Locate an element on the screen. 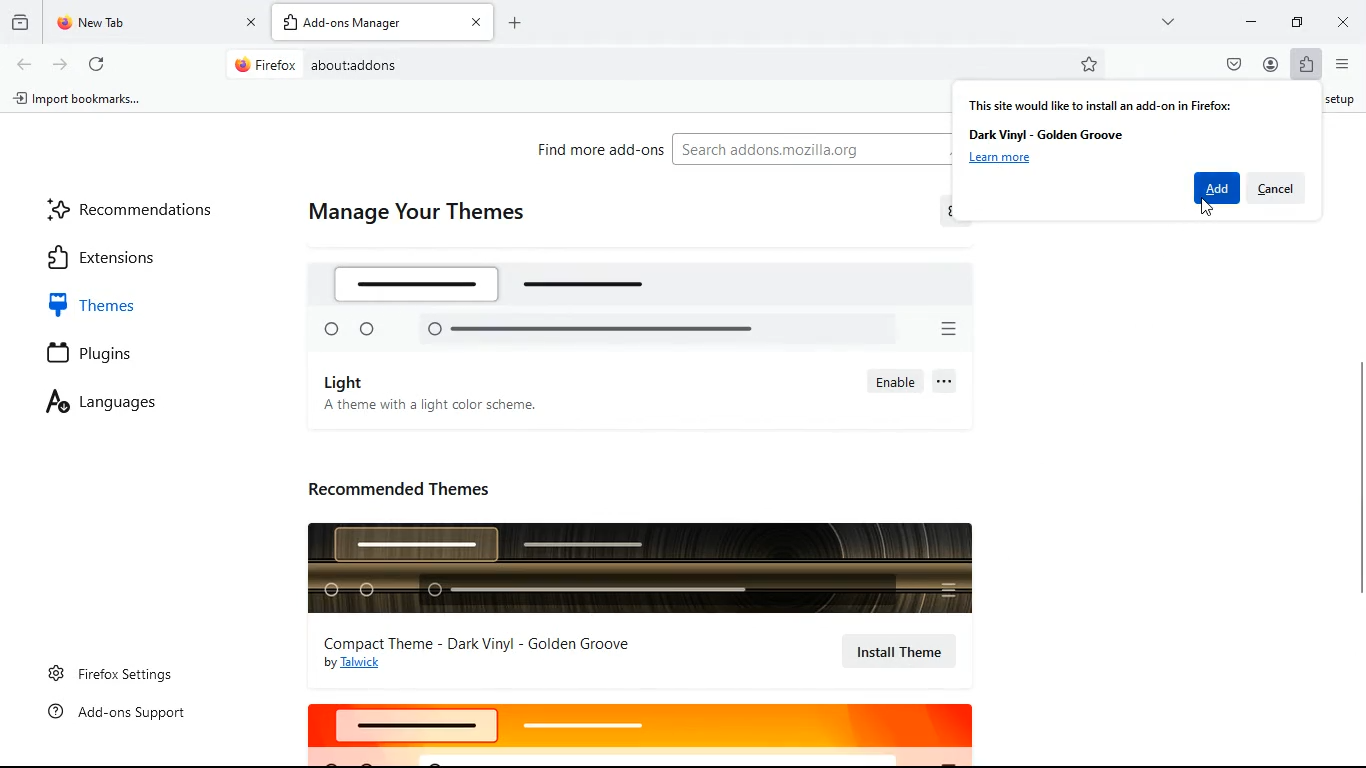  Add page is located at coordinates (514, 23).